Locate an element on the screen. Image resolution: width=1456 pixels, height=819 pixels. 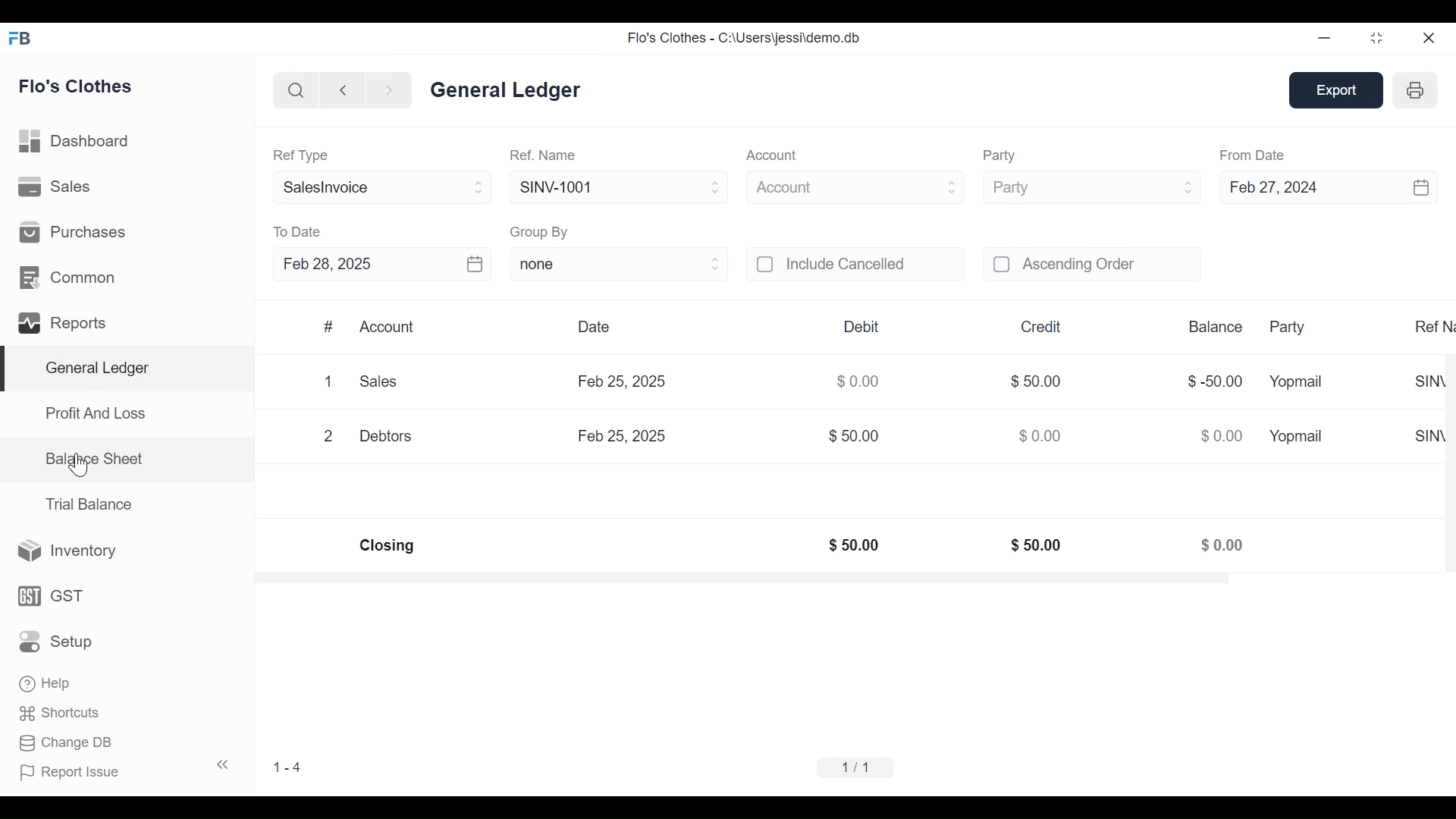
1-4 is located at coordinates (287, 767).